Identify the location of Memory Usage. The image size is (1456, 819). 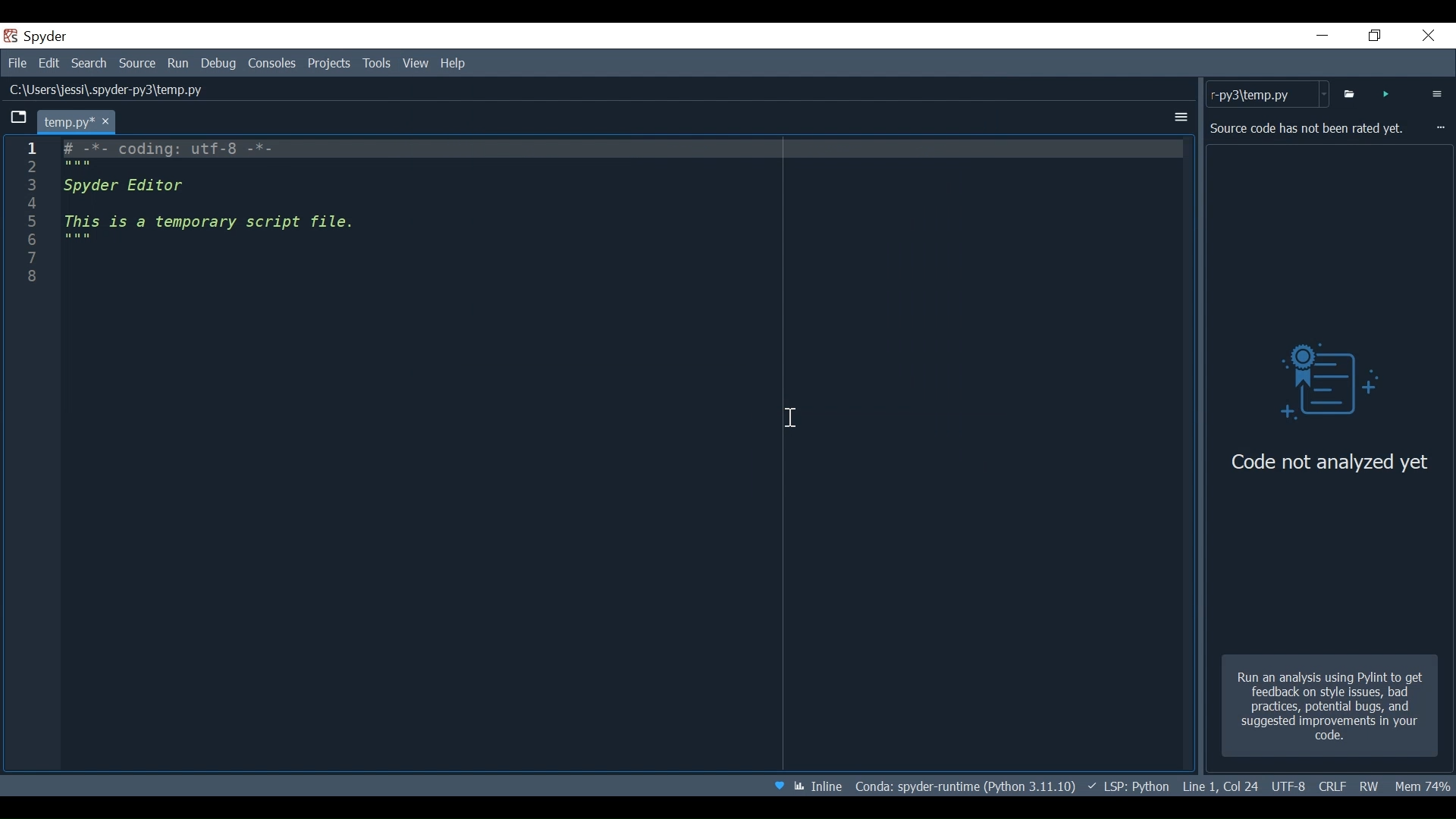
(1425, 786).